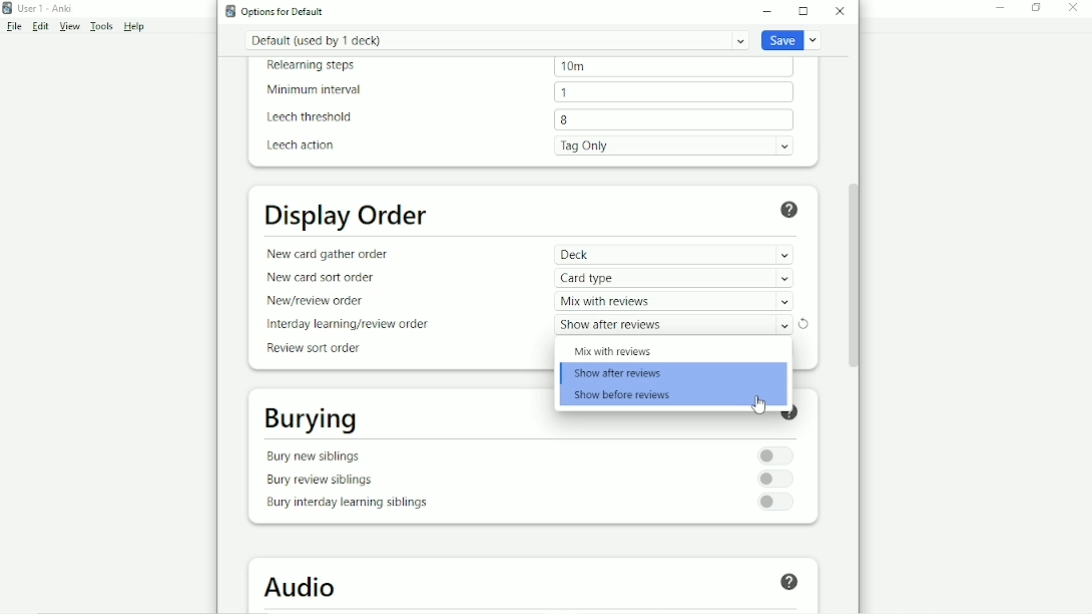 This screenshot has height=614, width=1092. What do you see at coordinates (302, 146) in the screenshot?
I see `Leech action` at bounding box center [302, 146].